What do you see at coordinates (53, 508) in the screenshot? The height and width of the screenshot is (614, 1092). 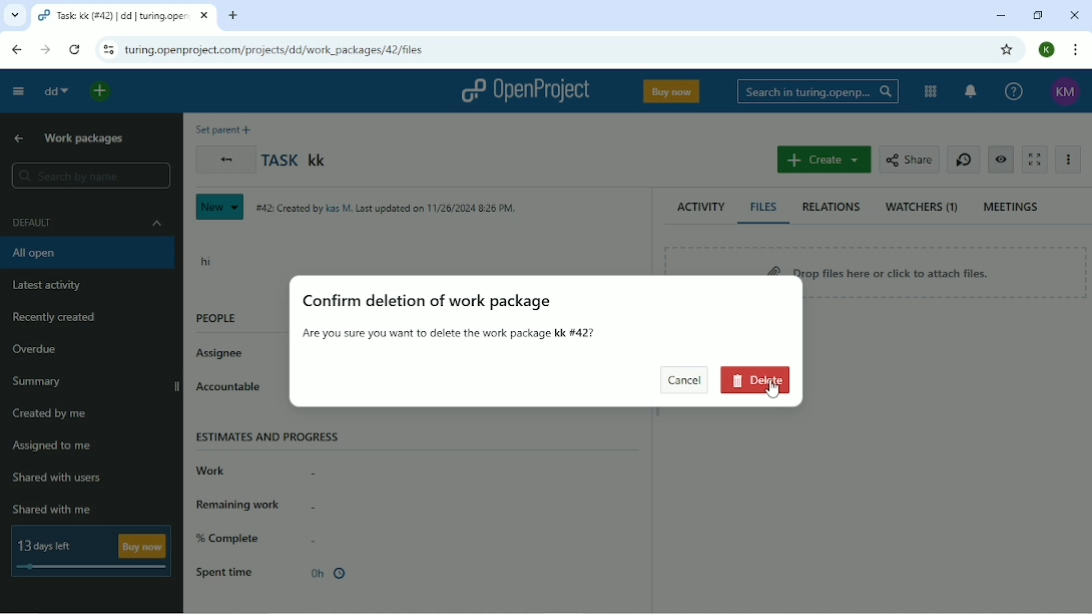 I see `Shared with me` at bounding box center [53, 508].